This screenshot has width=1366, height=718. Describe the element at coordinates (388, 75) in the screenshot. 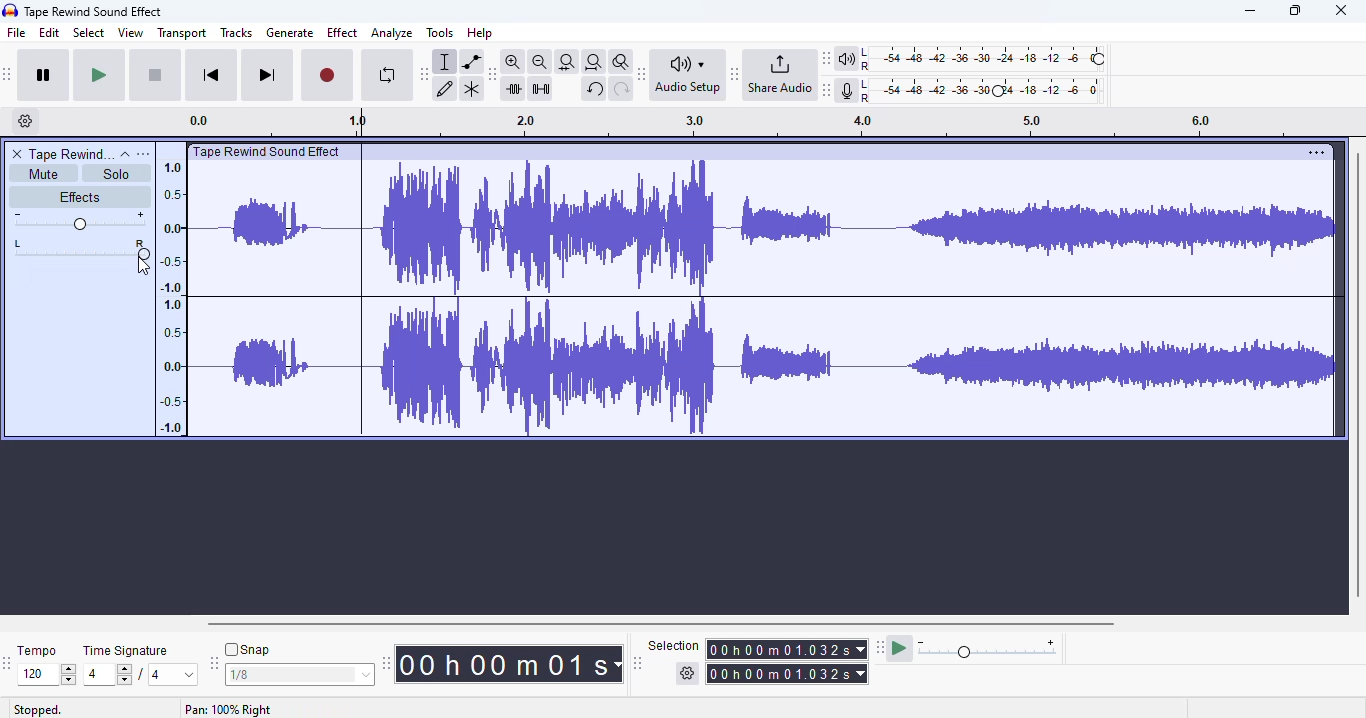

I see `enable looping` at that location.